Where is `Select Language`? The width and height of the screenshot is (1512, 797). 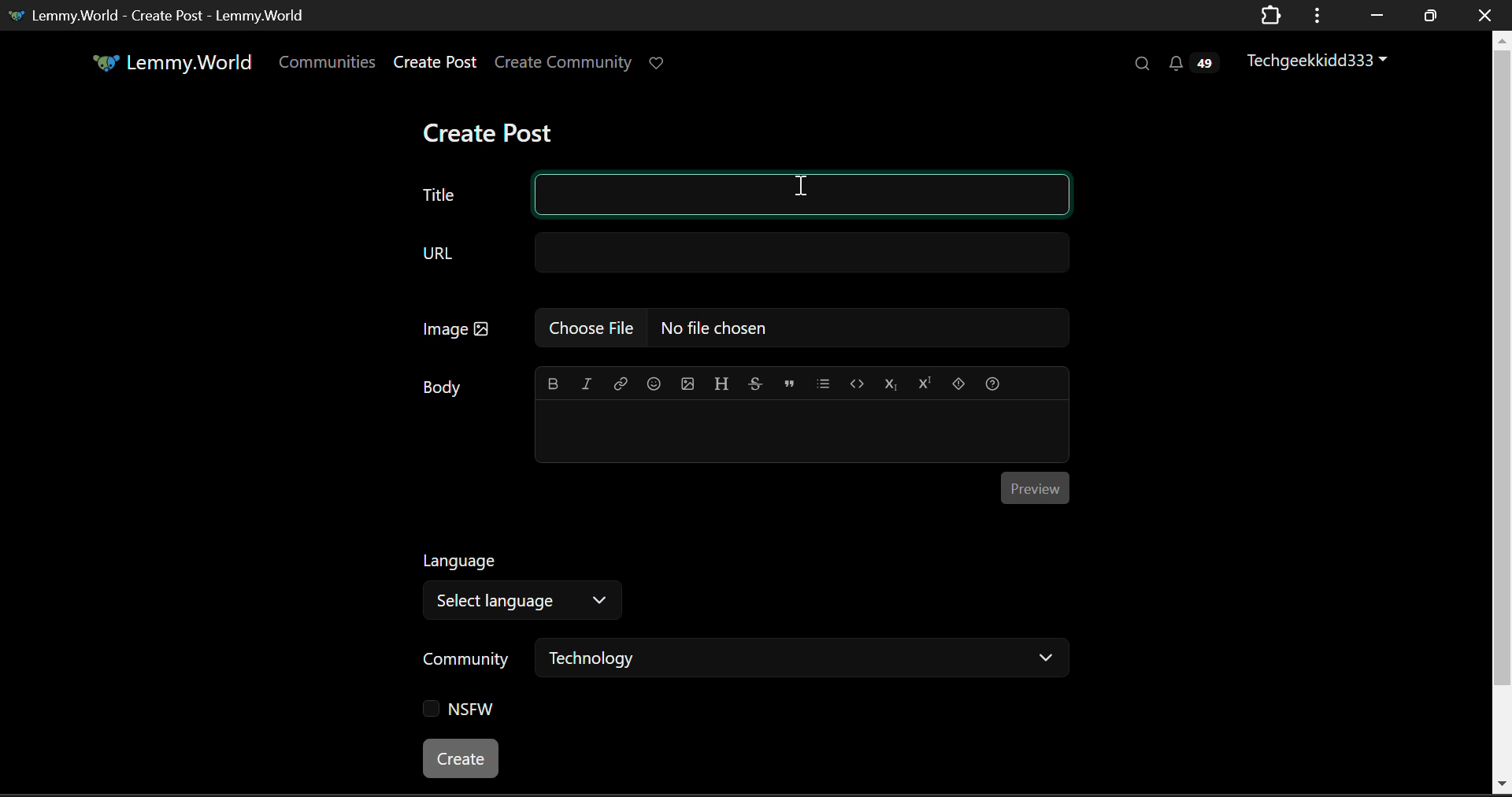 Select Language is located at coordinates (530, 581).